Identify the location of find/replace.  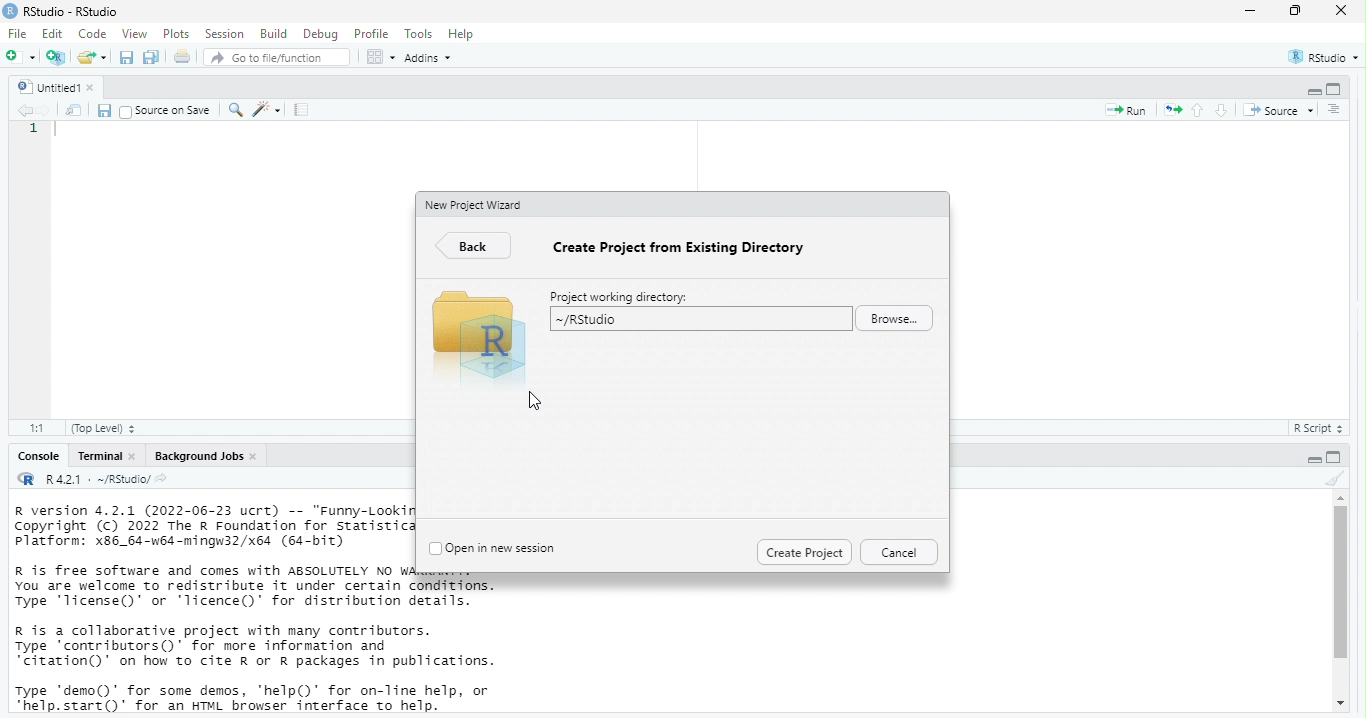
(233, 109).